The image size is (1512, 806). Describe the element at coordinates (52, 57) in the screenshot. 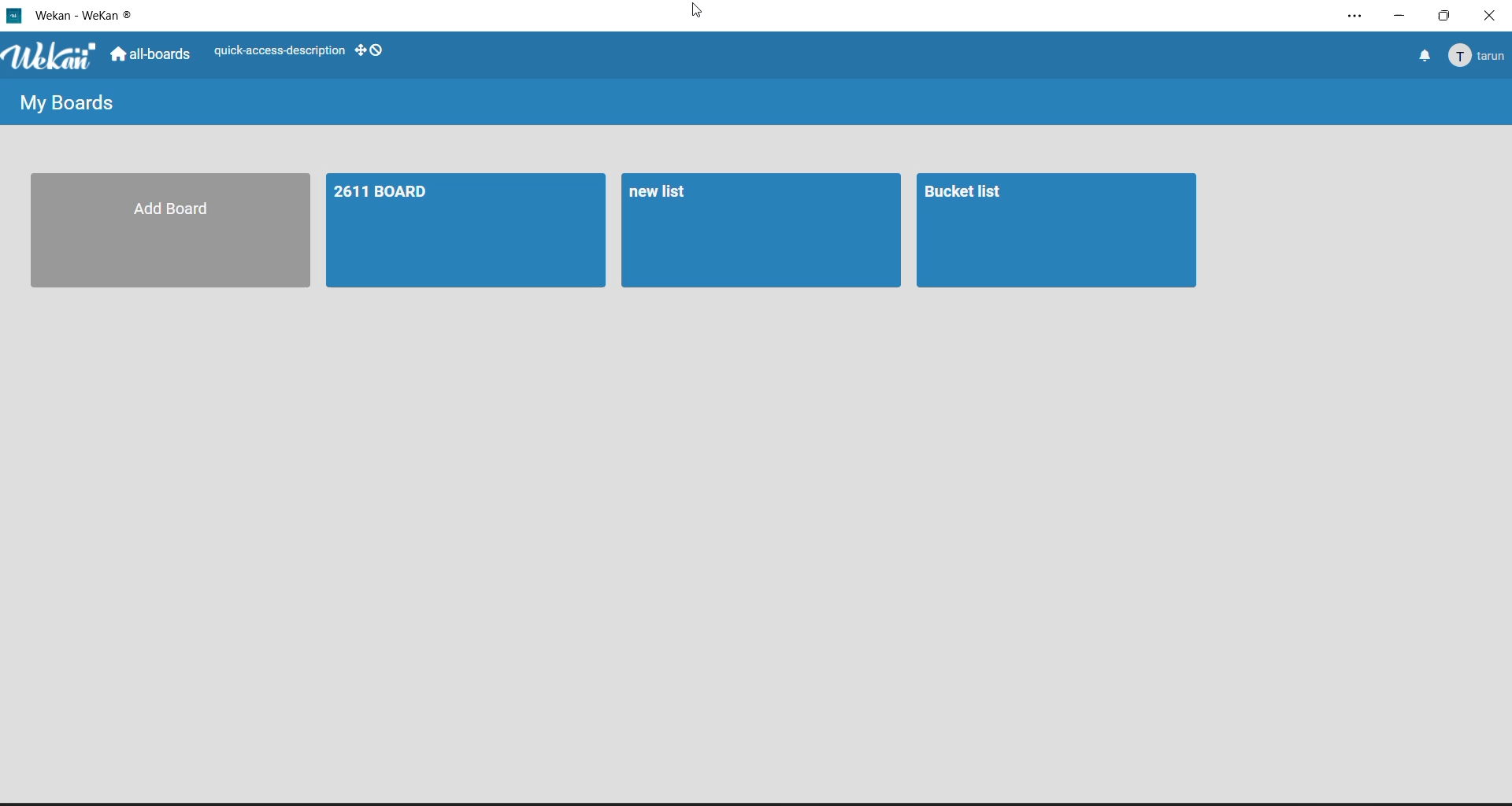

I see `app logo Wekan` at that location.